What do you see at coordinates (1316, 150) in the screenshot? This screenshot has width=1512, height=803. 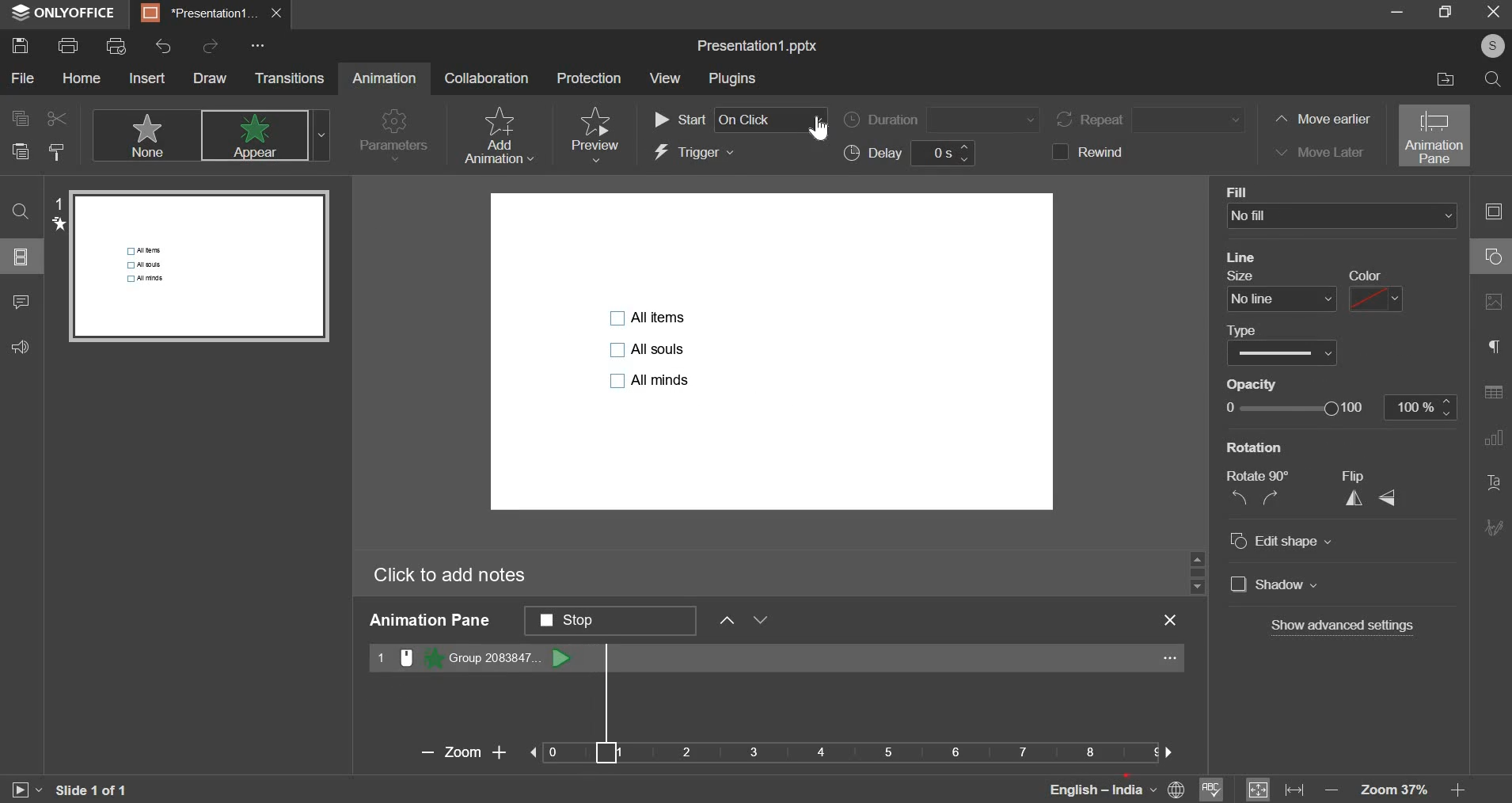 I see `move later` at bounding box center [1316, 150].